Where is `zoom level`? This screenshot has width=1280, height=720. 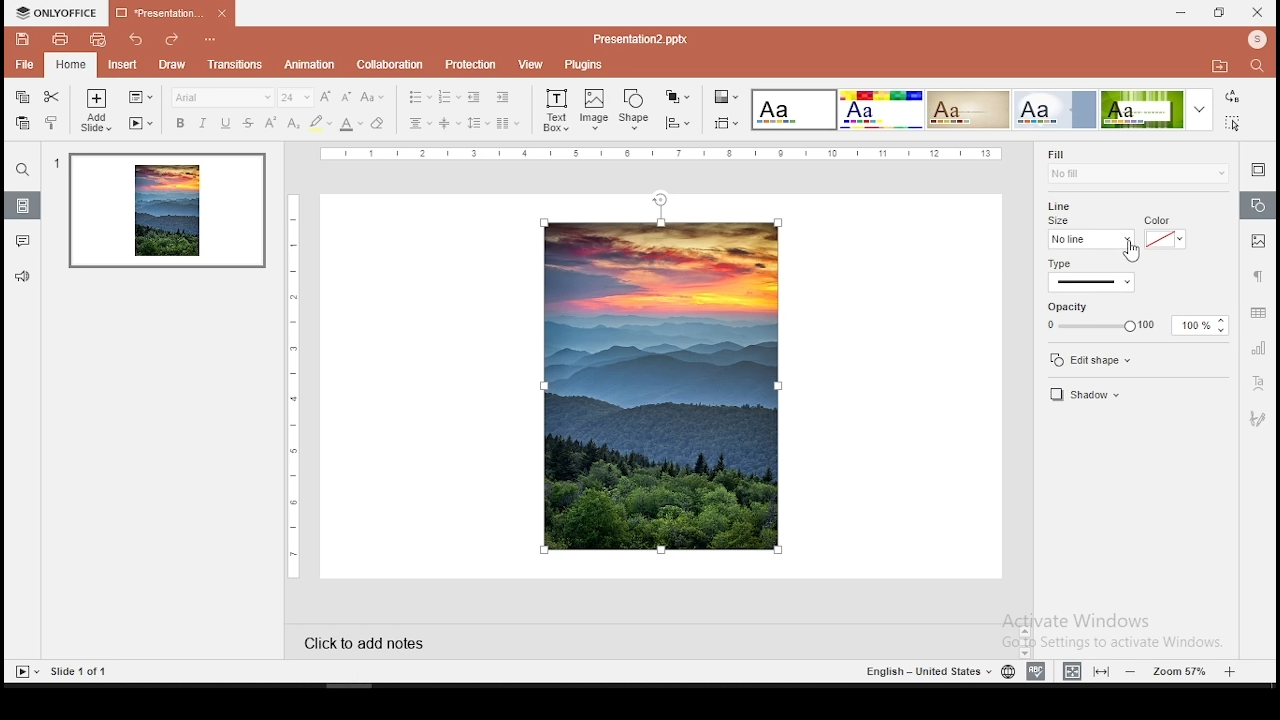
zoom level is located at coordinates (1183, 670).